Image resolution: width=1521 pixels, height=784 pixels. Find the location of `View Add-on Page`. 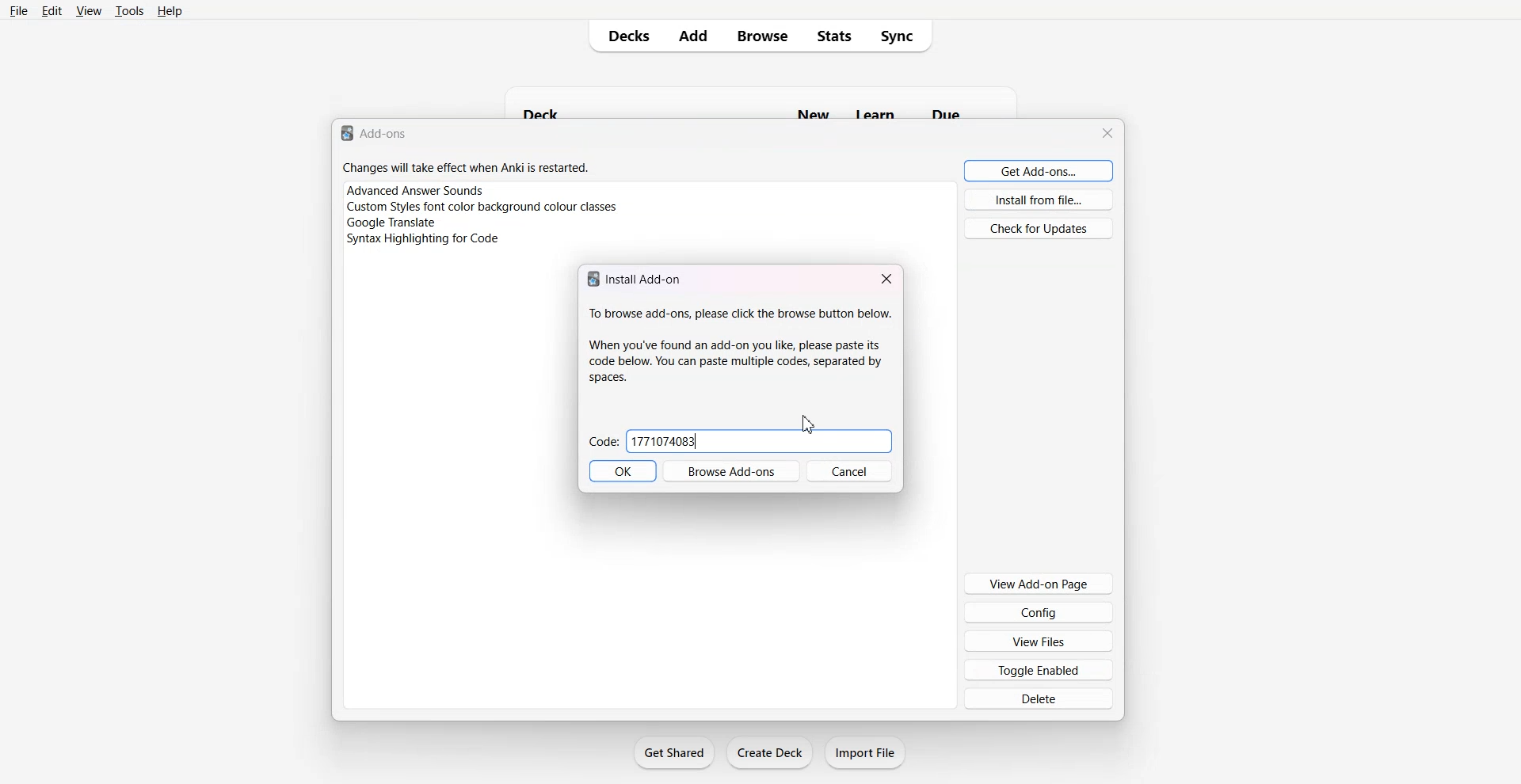

View Add-on Page is located at coordinates (1039, 584).